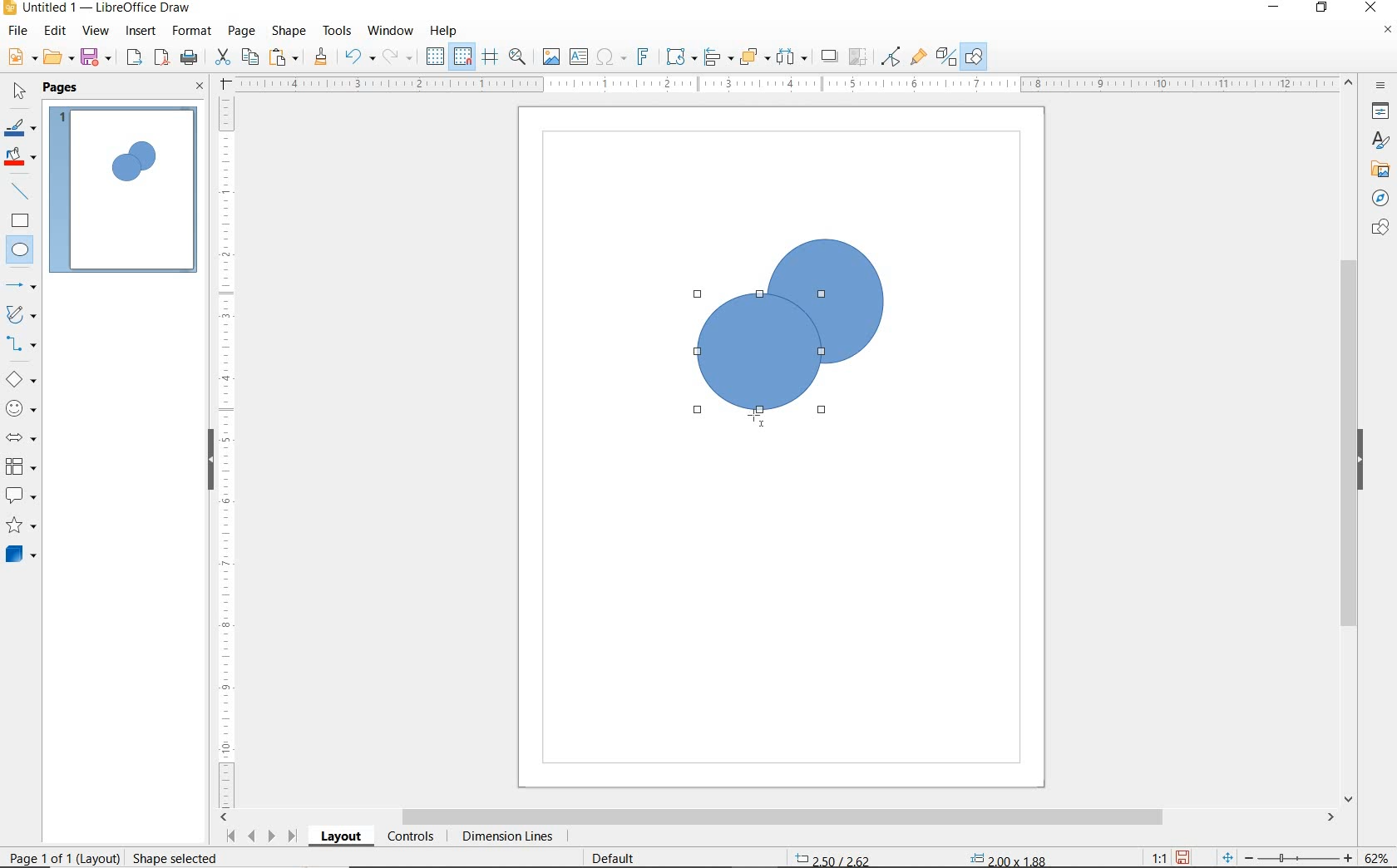 The image size is (1397, 868). What do you see at coordinates (1383, 114) in the screenshot?
I see `PROPERTIES` at bounding box center [1383, 114].